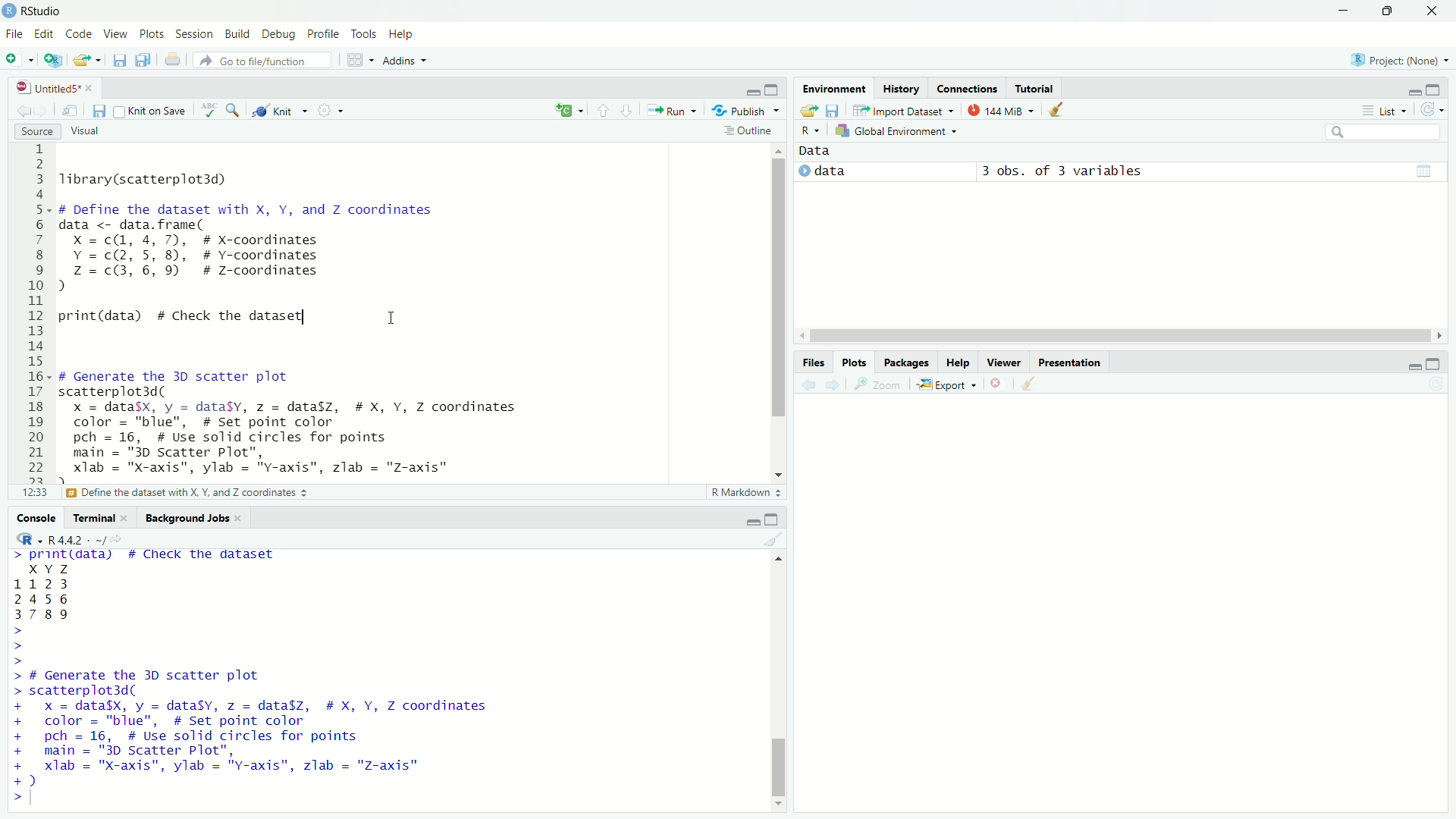  What do you see at coordinates (1000, 111) in the screenshot?
I see `144 MiB` at bounding box center [1000, 111].